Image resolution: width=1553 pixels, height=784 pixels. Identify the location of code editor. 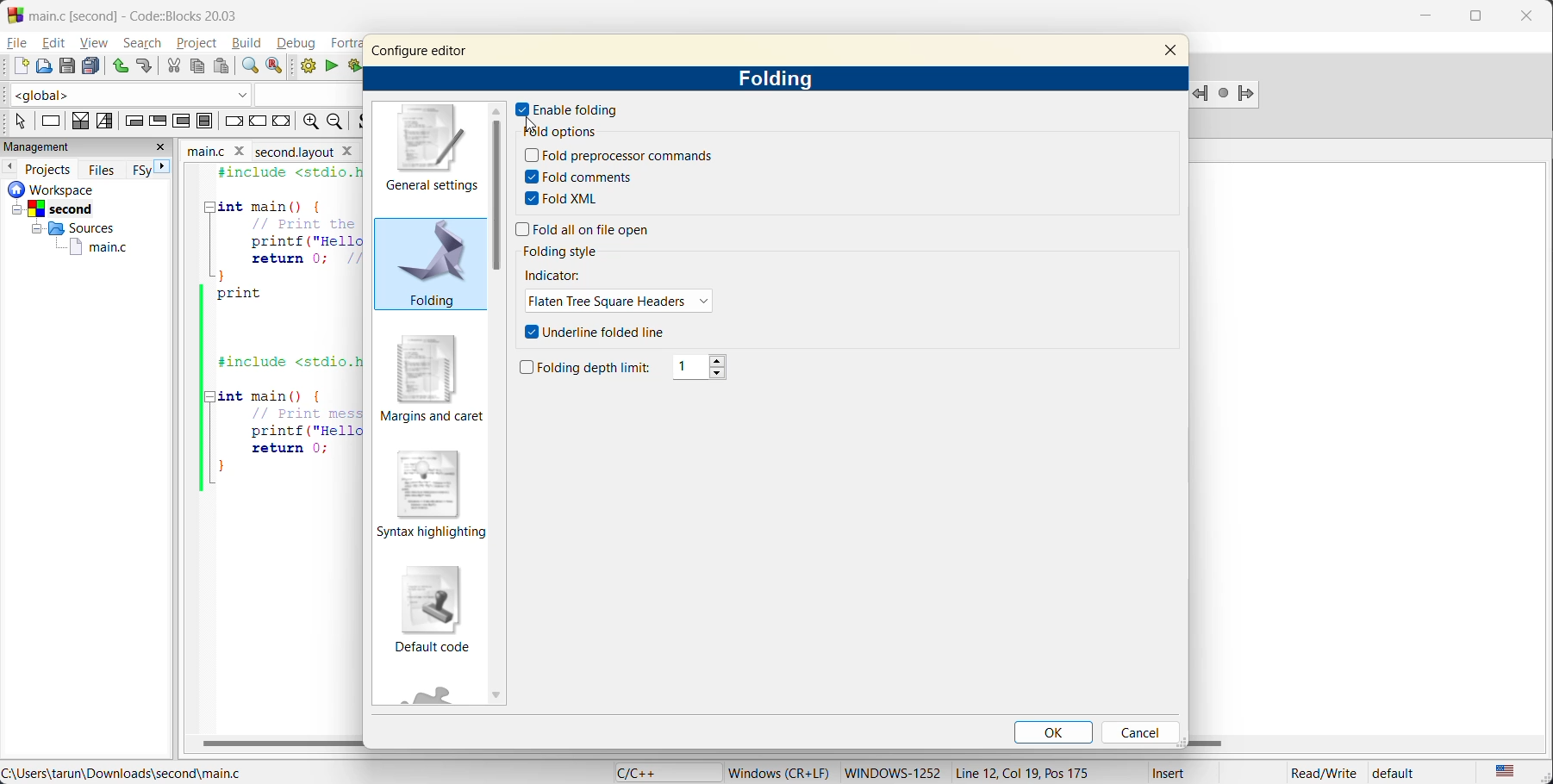
(277, 330).